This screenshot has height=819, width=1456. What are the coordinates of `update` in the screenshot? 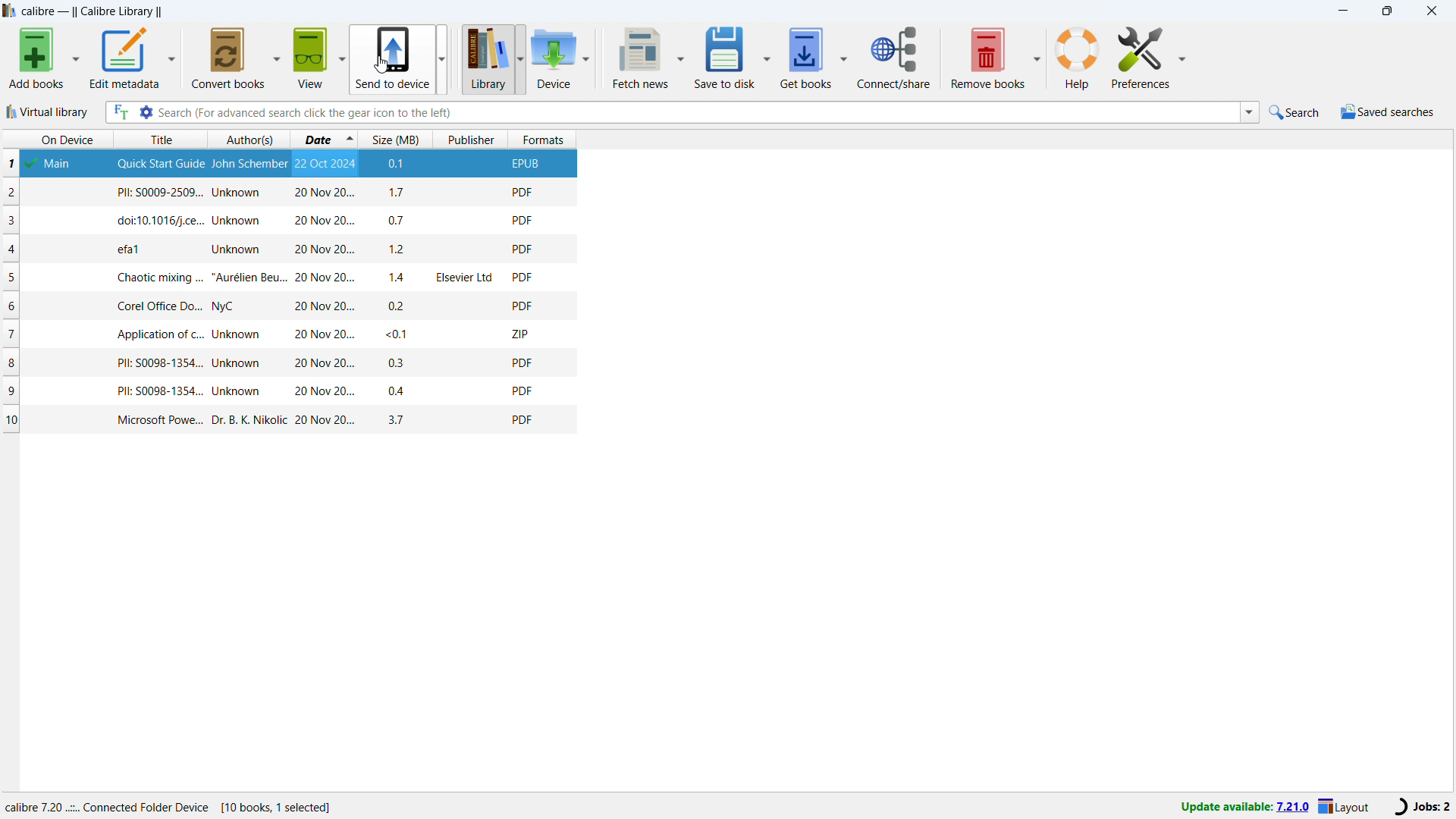 It's located at (1245, 805).